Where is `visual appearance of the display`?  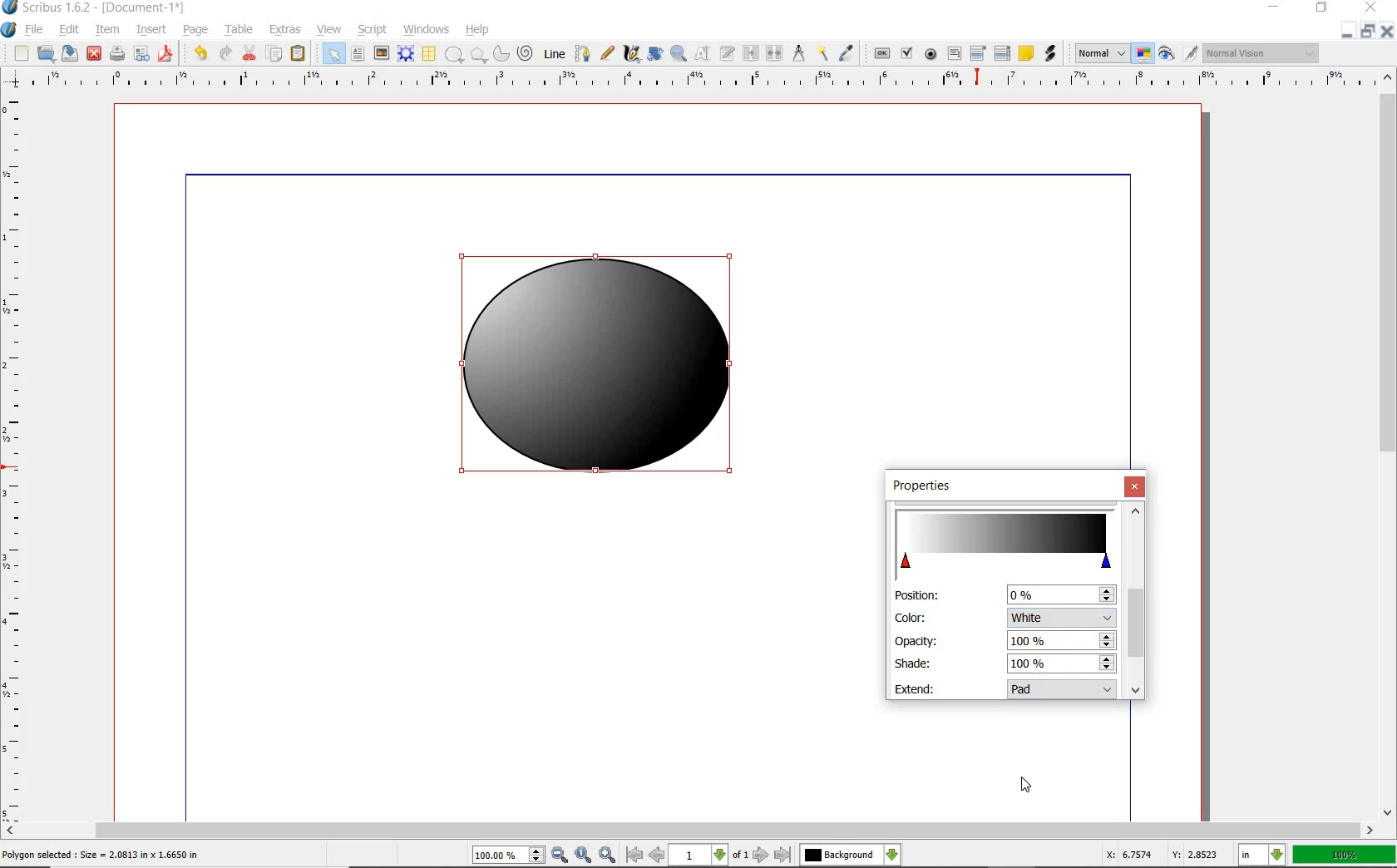
visual appearance of the display is located at coordinates (1261, 54).